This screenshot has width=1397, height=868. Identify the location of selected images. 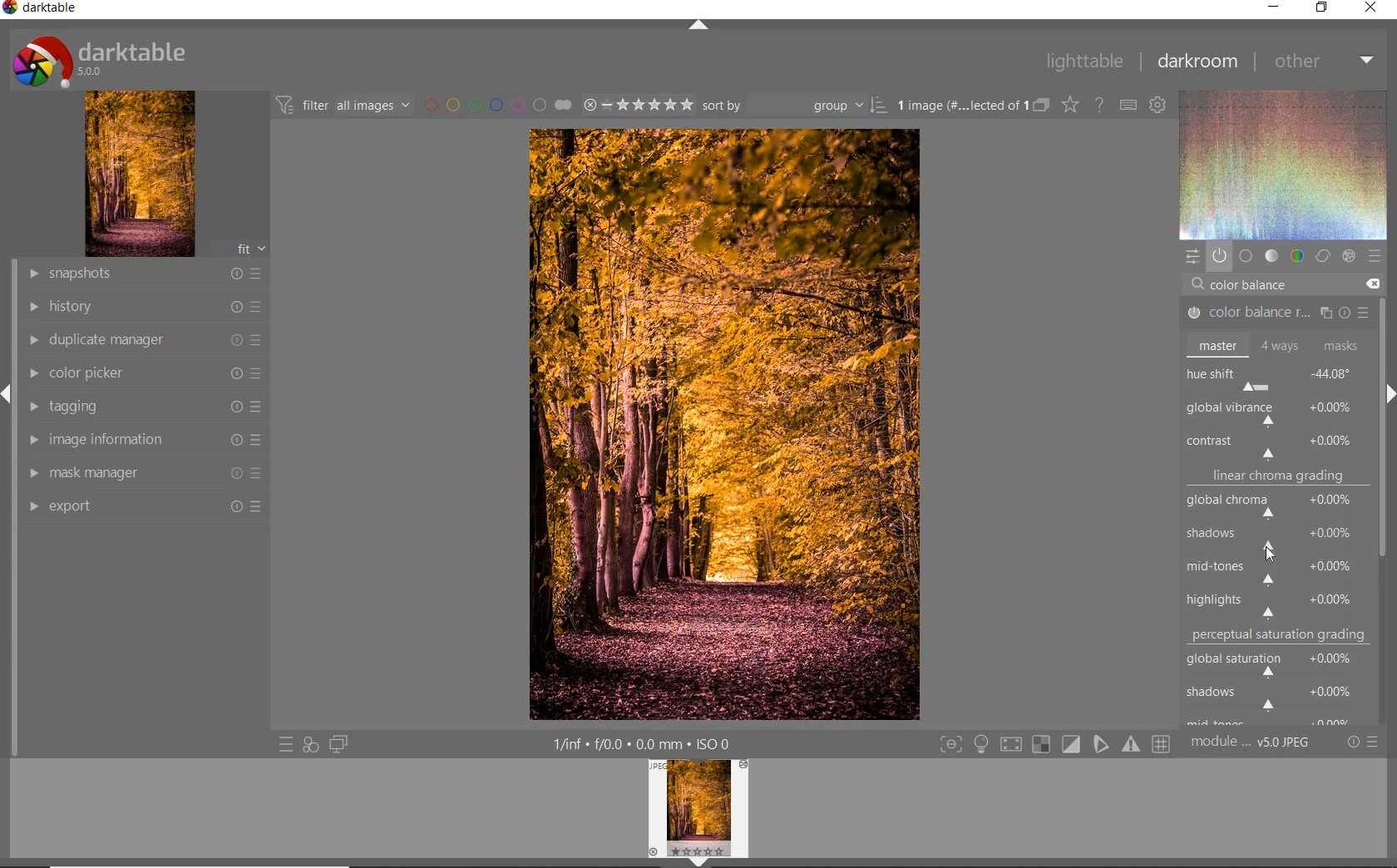
(959, 106).